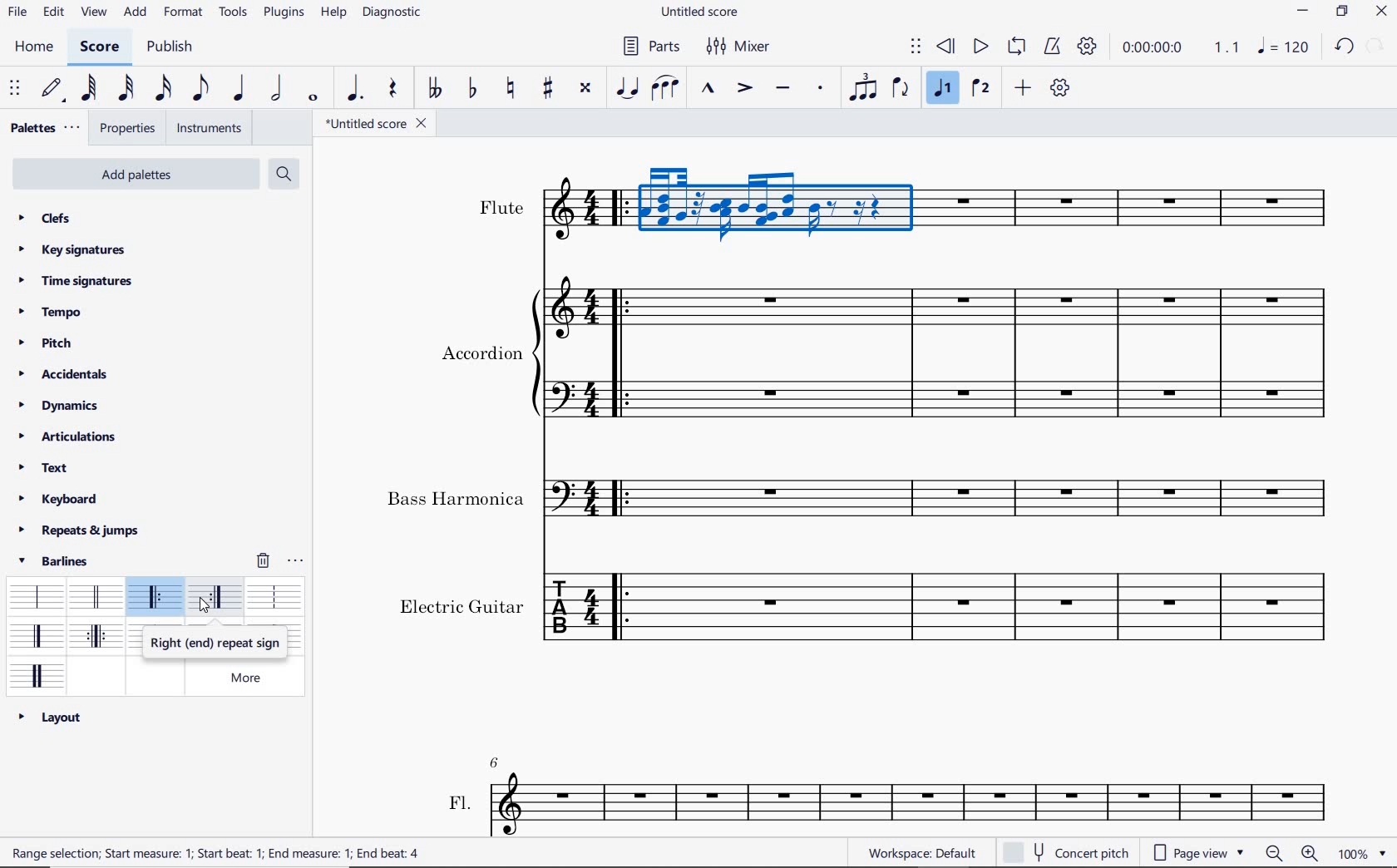 This screenshot has height=868, width=1397. I want to click on half note, so click(276, 89).